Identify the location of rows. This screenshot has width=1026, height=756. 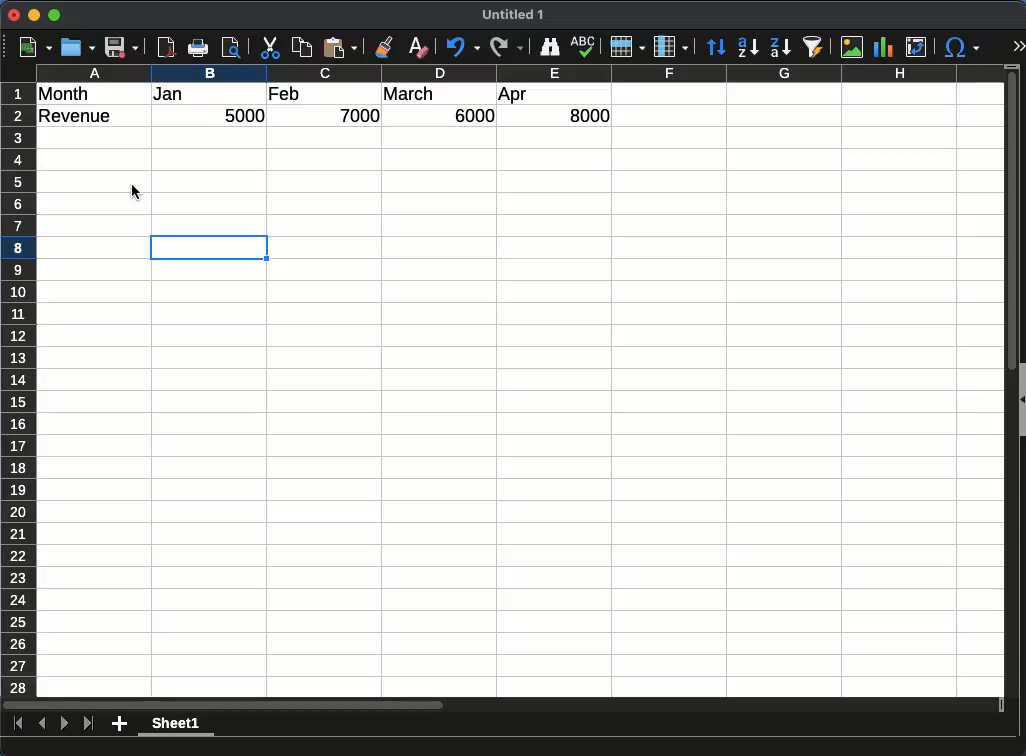
(18, 390).